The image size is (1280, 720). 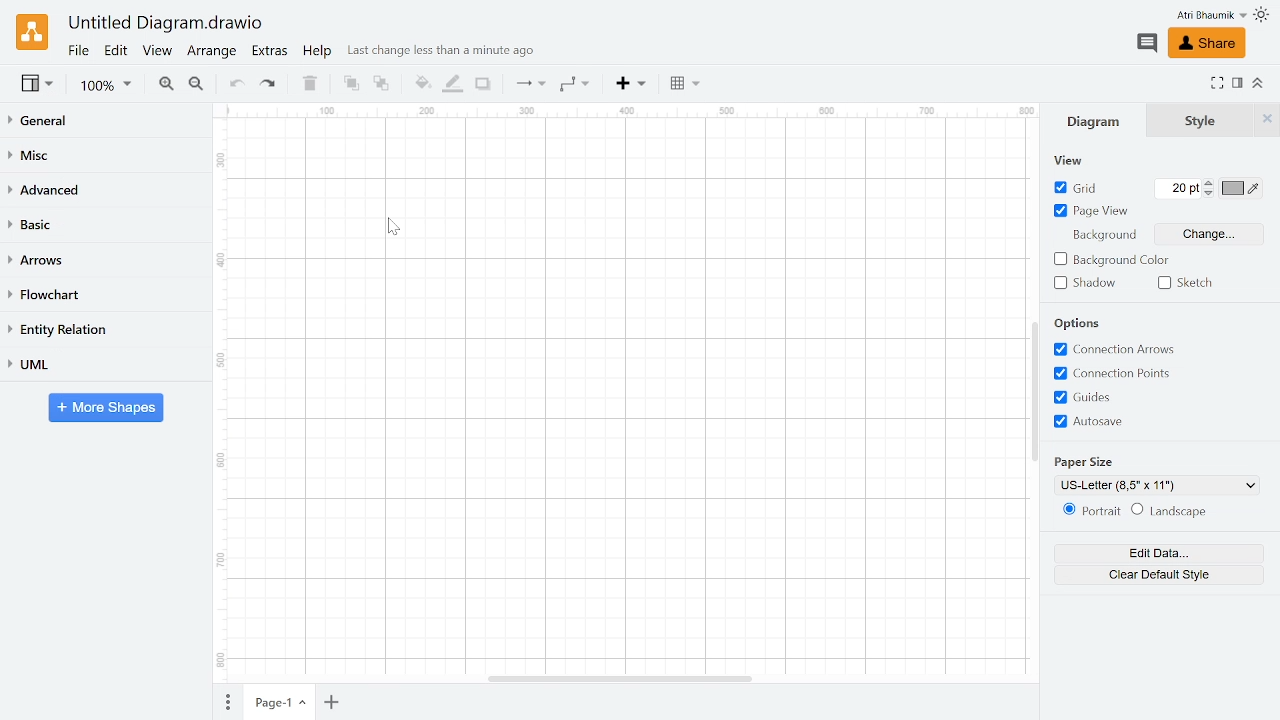 I want to click on Current window, so click(x=167, y=24).